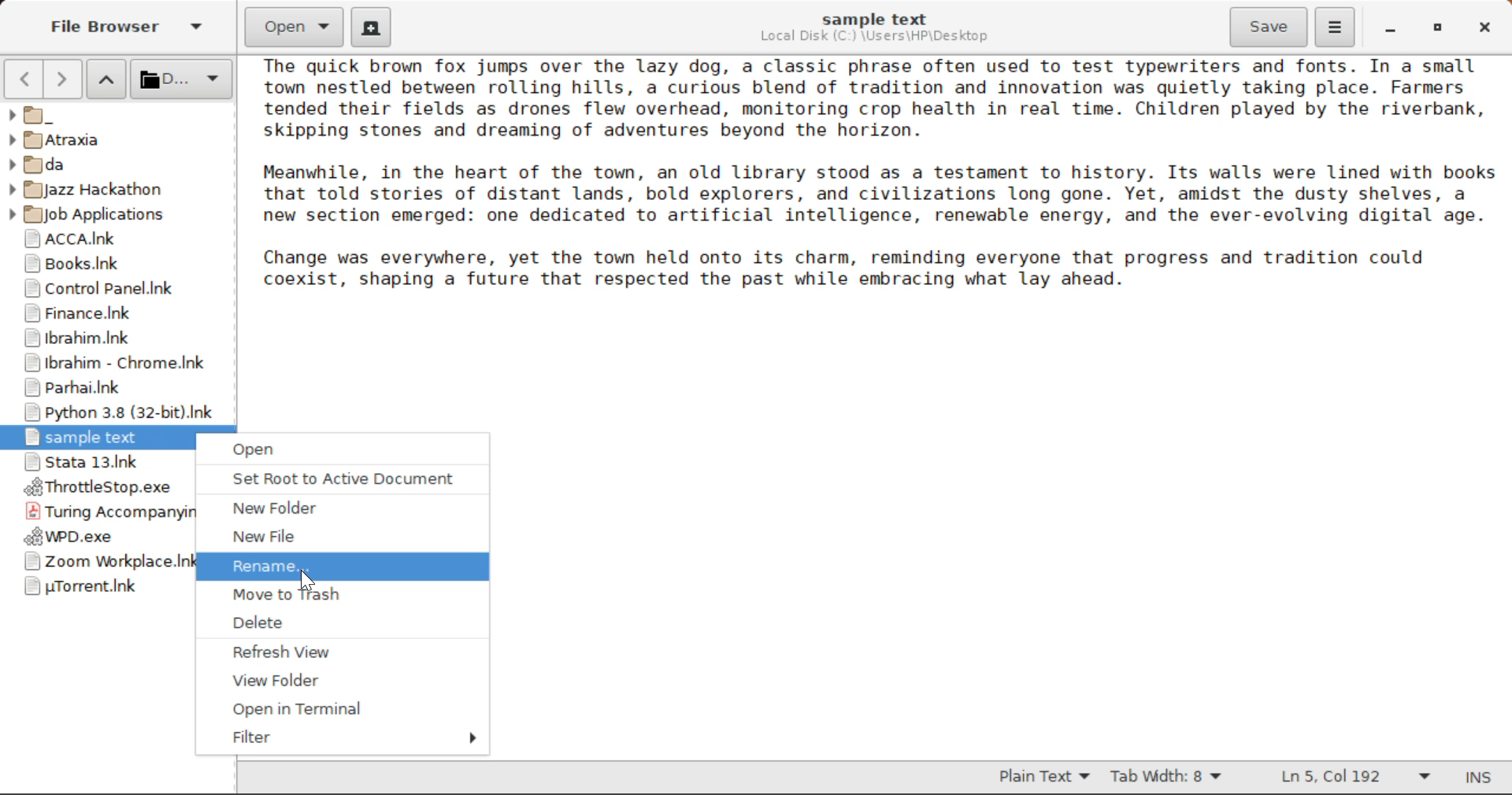  I want to click on Open, so click(345, 449).